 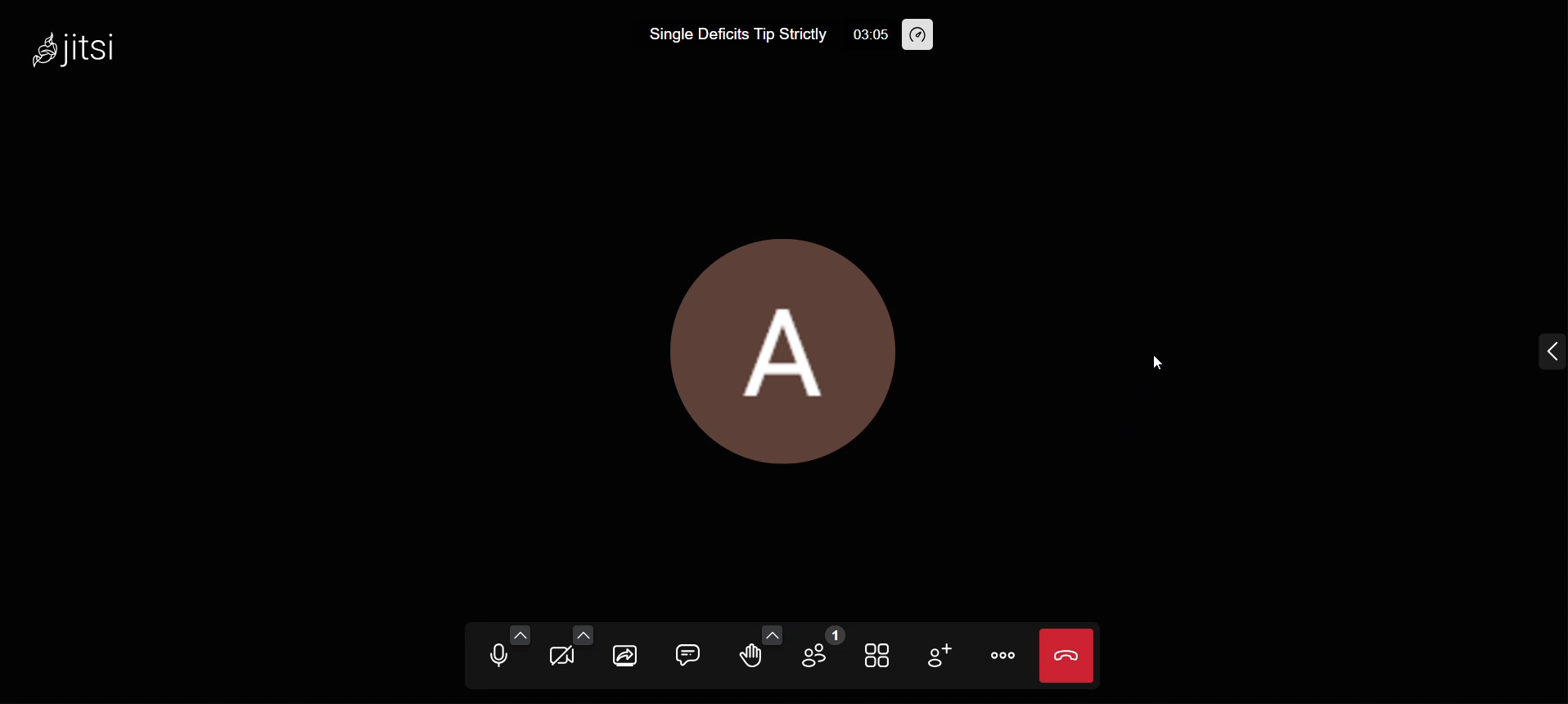 I want to click on display picture, so click(x=785, y=341).